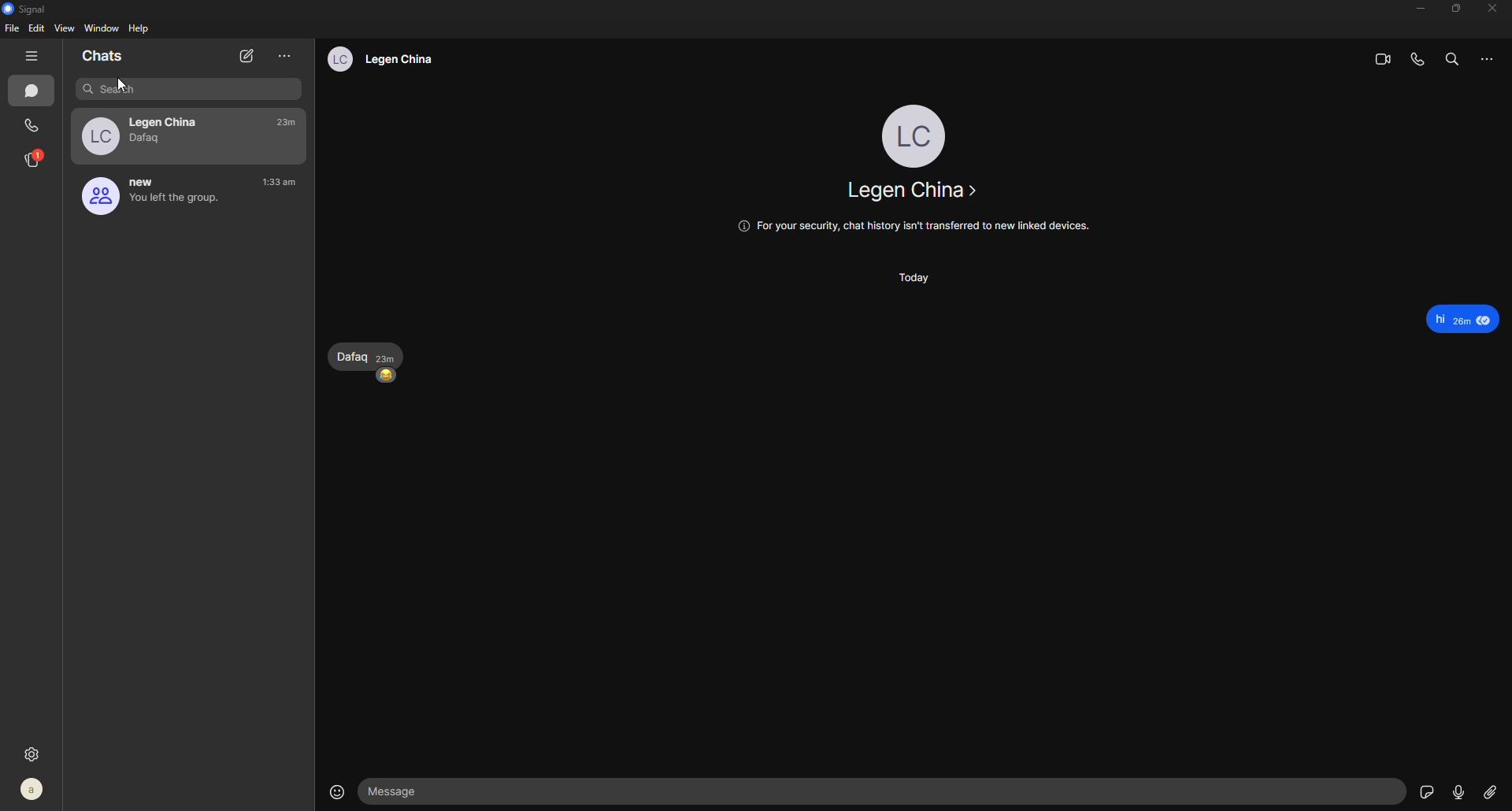 The image size is (1512, 811). Describe the element at coordinates (1377, 59) in the screenshot. I see `video call` at that location.